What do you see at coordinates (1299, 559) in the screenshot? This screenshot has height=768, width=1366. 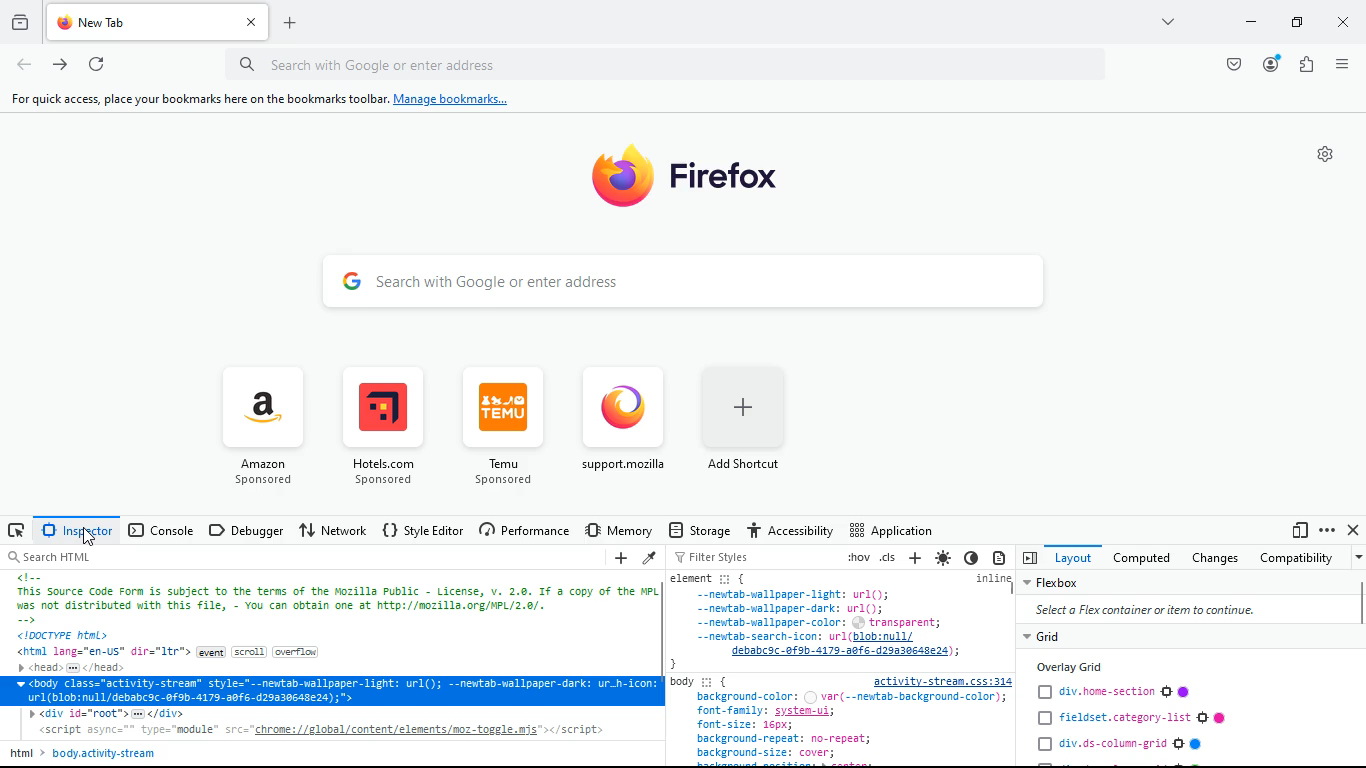 I see `compatibility` at bounding box center [1299, 559].